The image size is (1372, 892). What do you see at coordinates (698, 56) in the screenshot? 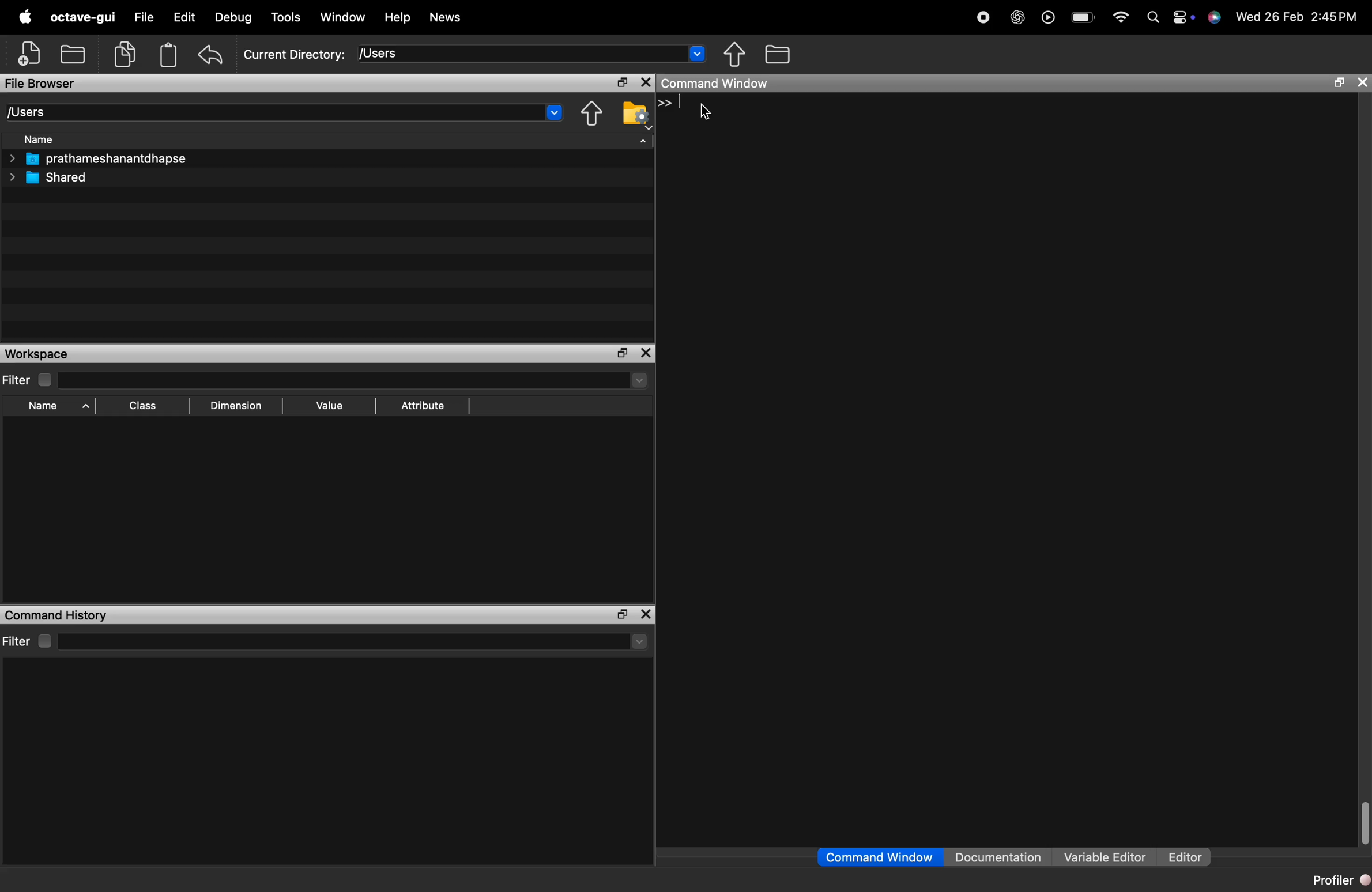
I see `dropdown` at bounding box center [698, 56].